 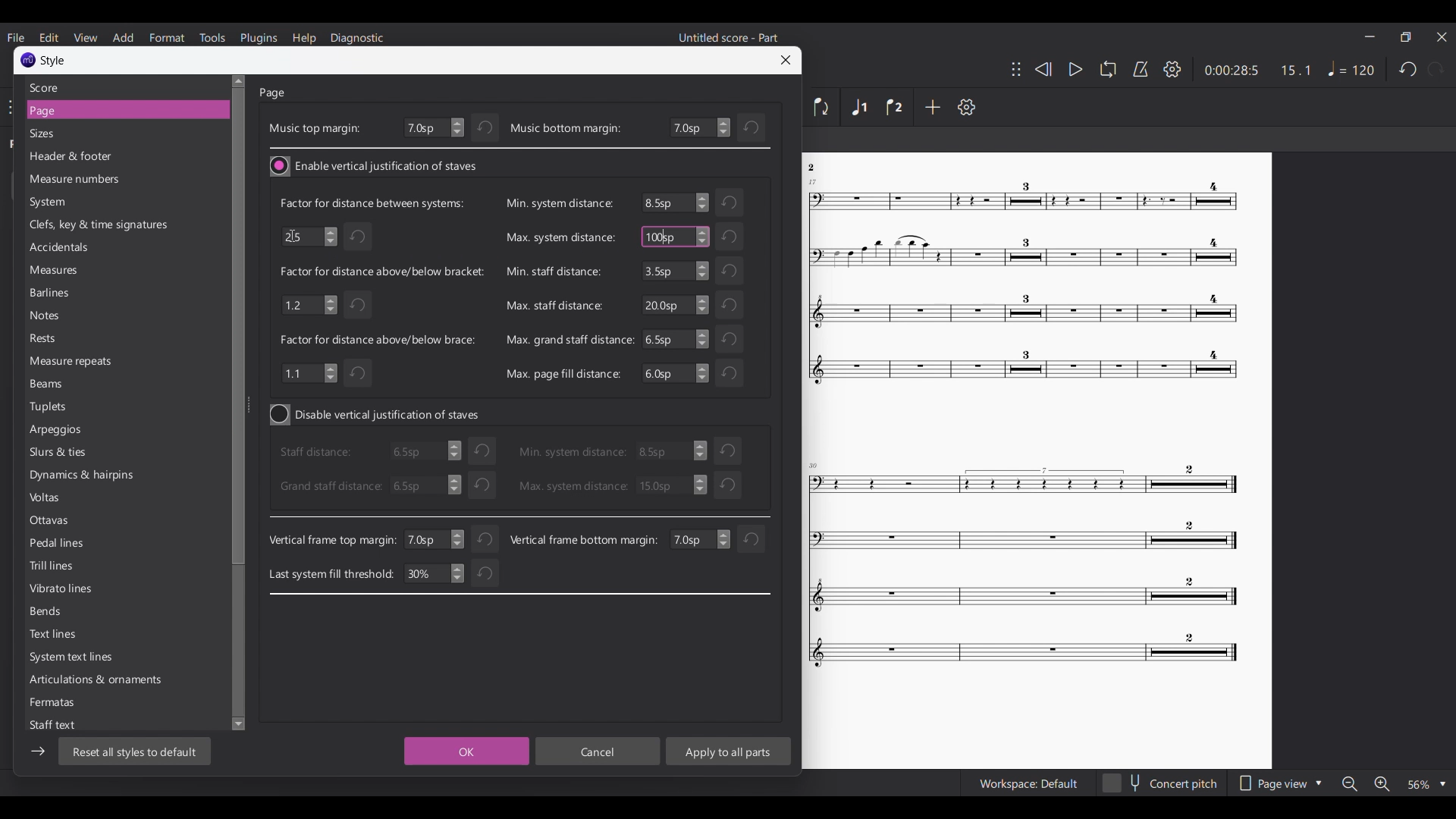 What do you see at coordinates (673, 374) in the screenshot?
I see `6.5sp` at bounding box center [673, 374].